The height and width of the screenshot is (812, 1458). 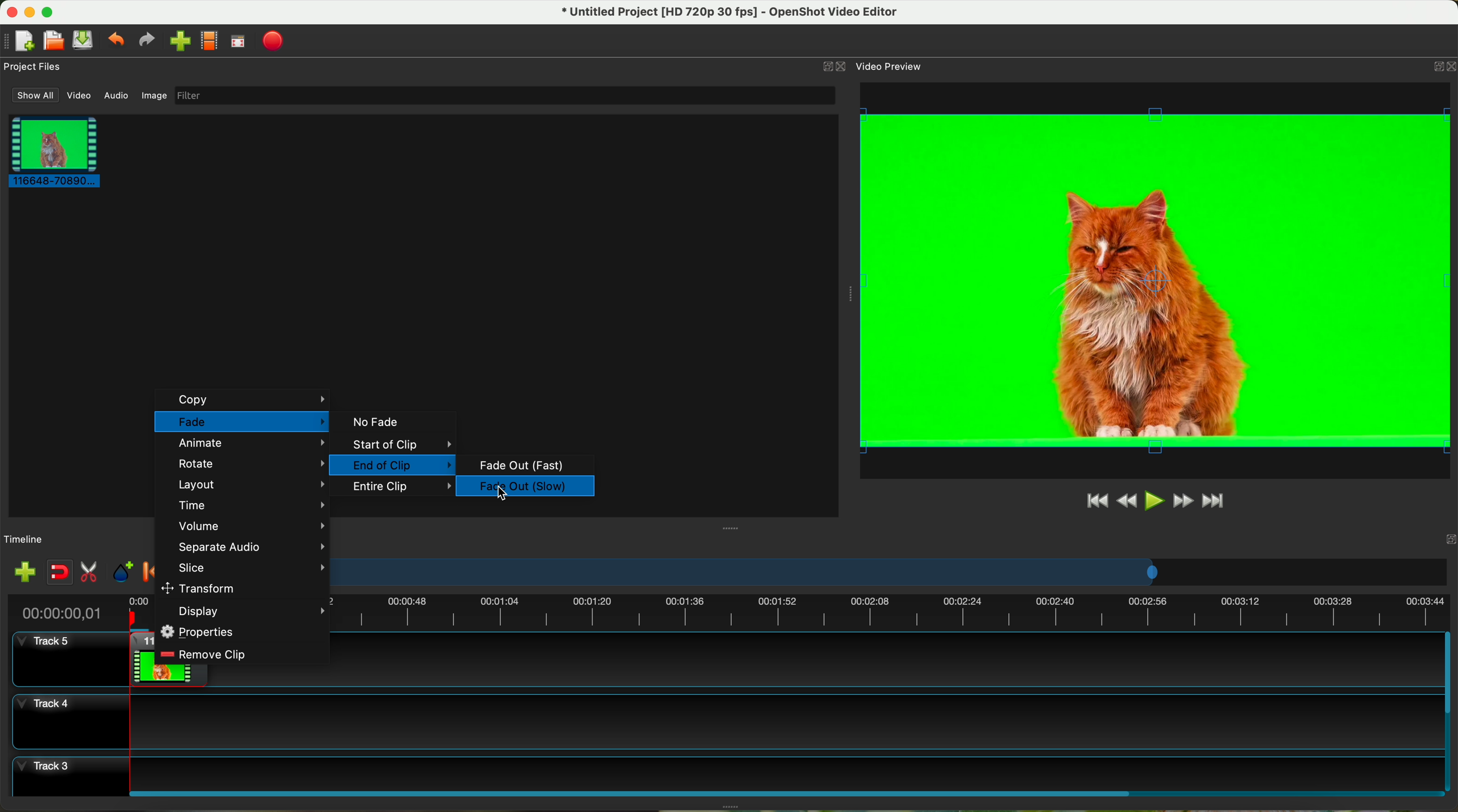 I want to click on click on end of clip, so click(x=392, y=466).